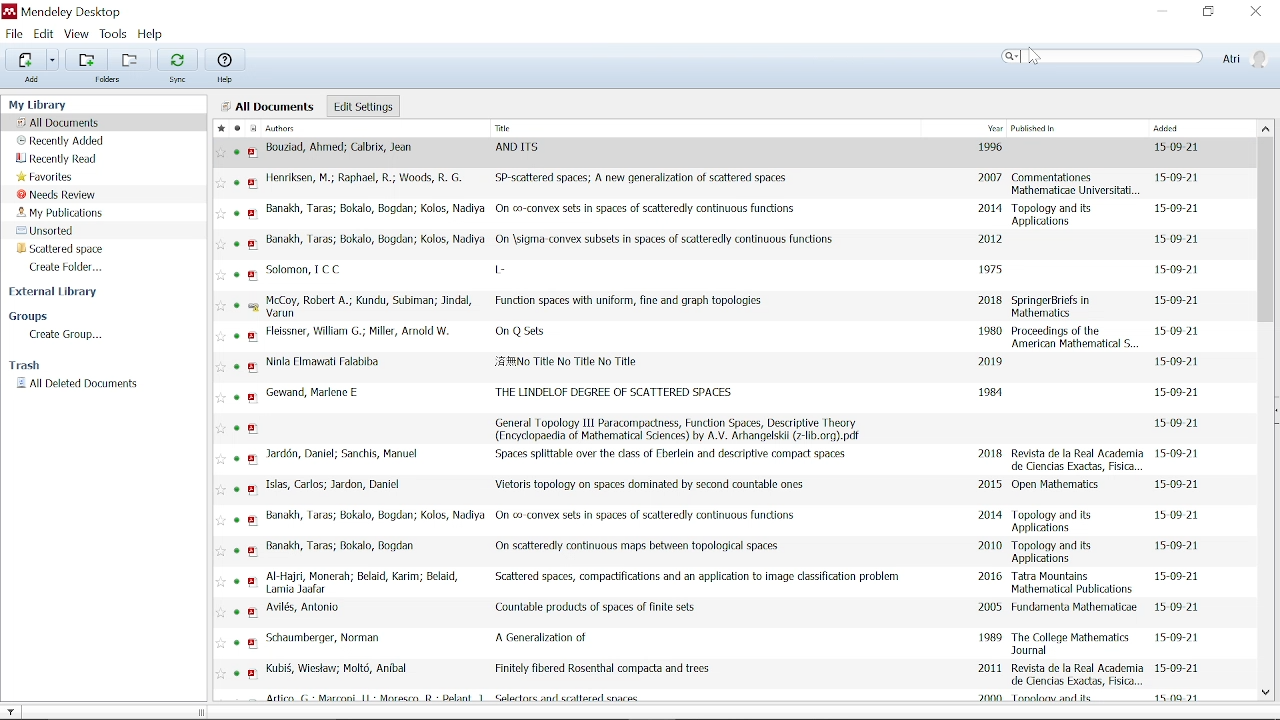 The height and width of the screenshot is (720, 1280). I want to click on Tools, so click(115, 34).